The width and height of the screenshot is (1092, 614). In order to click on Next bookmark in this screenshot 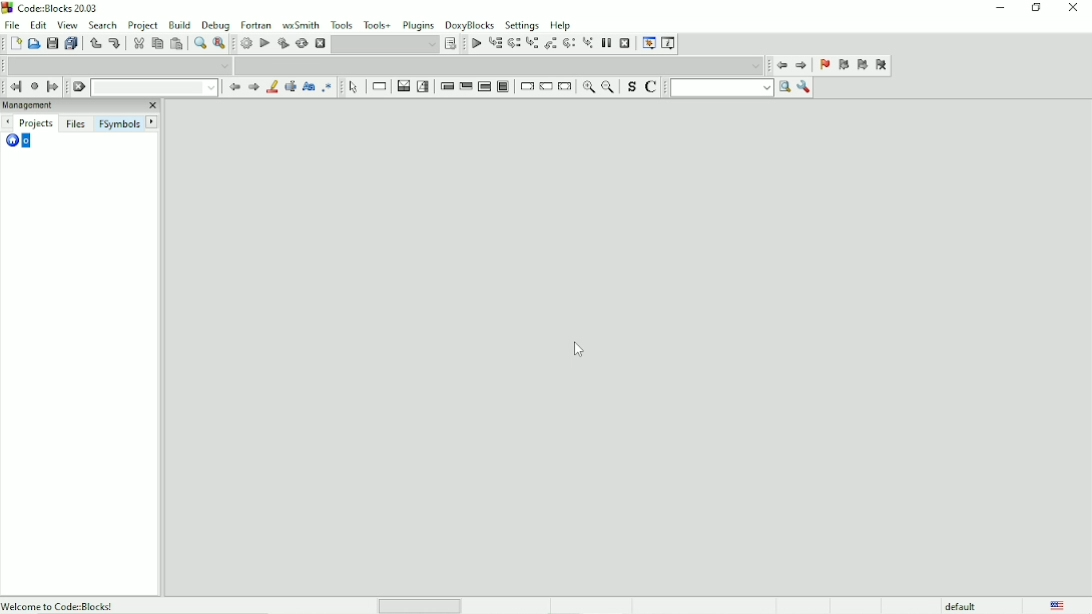, I will do `click(862, 66)`.